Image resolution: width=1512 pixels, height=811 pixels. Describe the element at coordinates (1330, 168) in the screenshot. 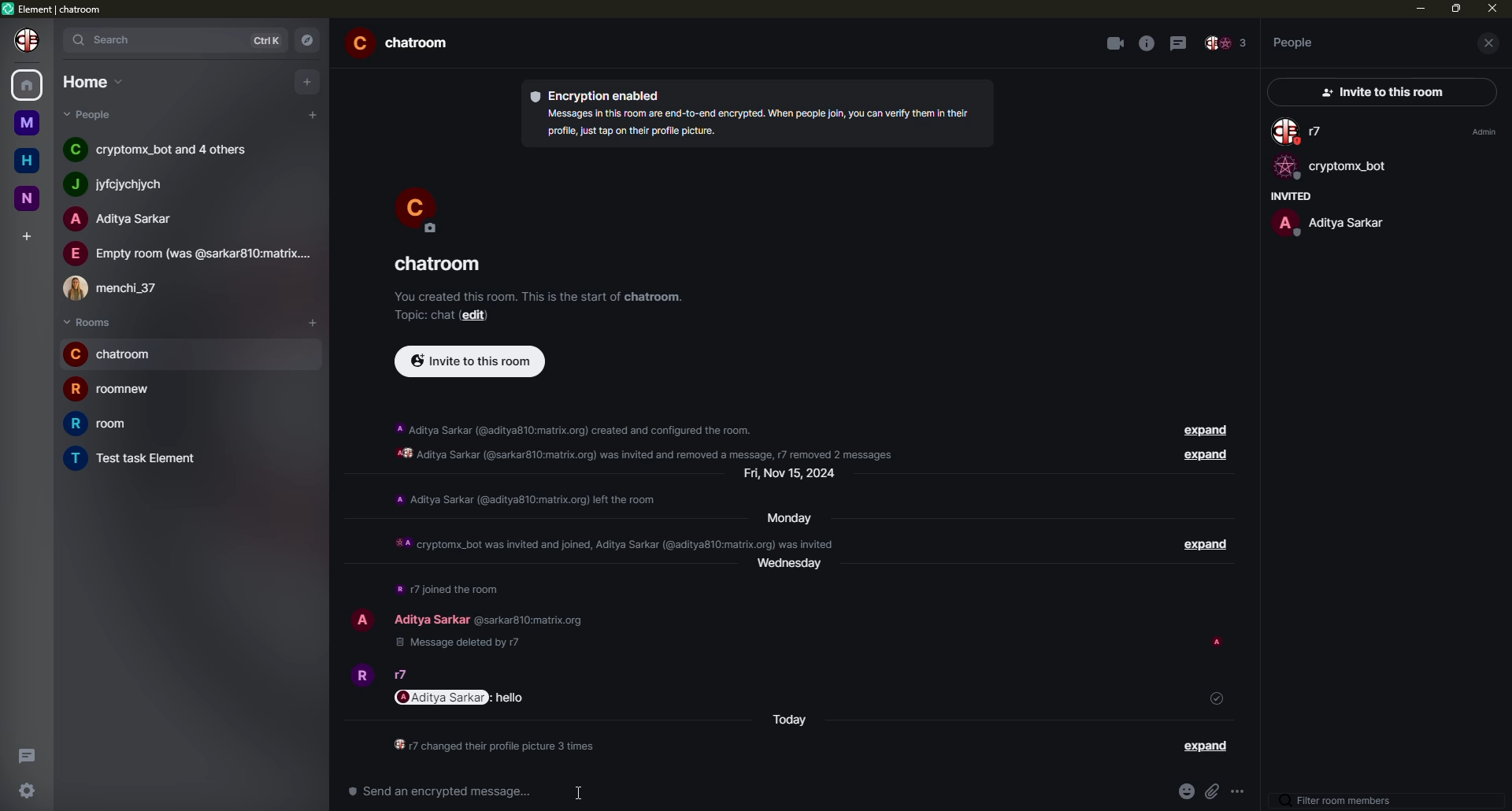

I see `bot` at that location.